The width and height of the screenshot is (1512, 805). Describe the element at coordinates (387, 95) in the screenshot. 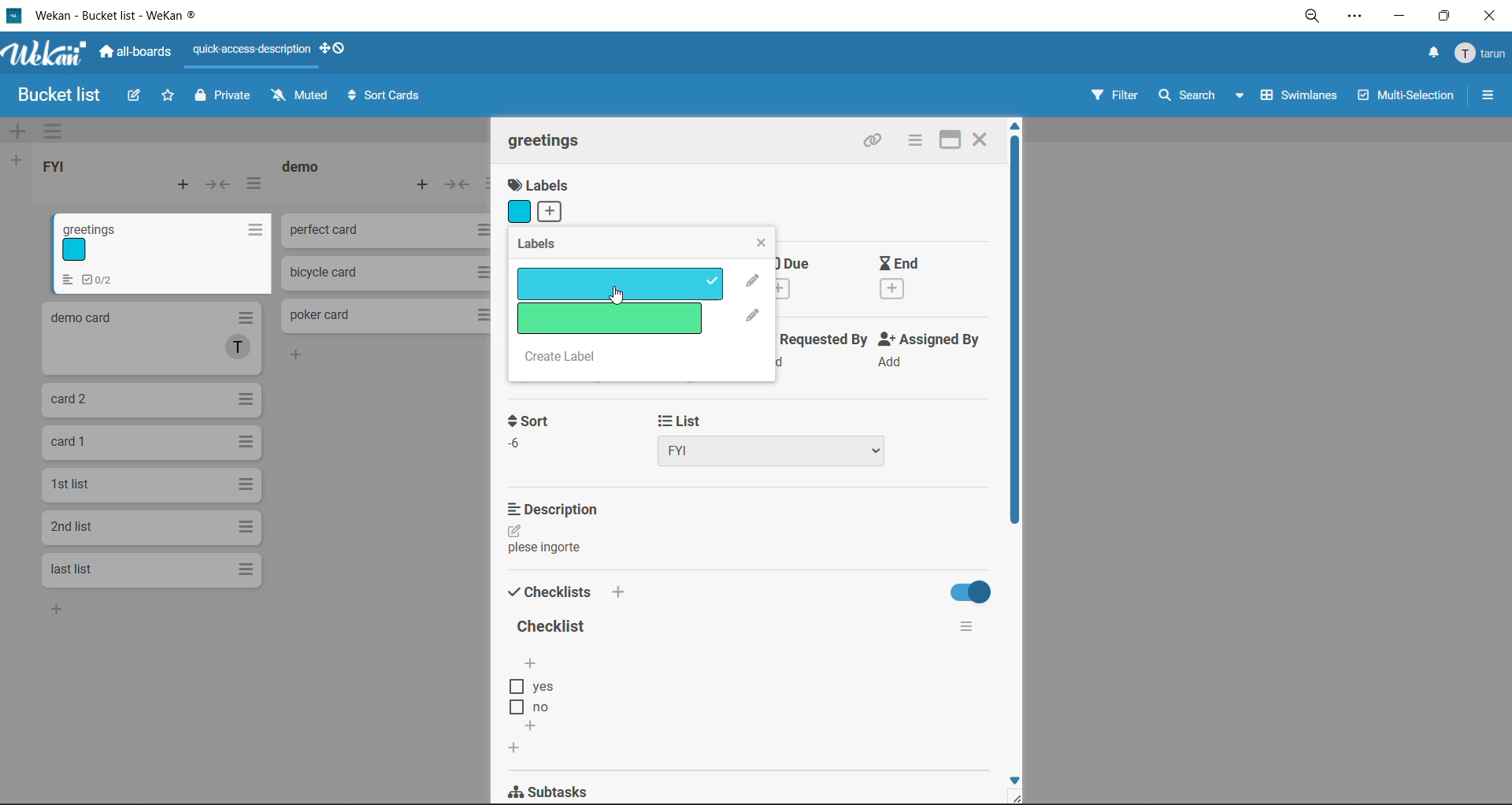

I see `sort cards` at that location.